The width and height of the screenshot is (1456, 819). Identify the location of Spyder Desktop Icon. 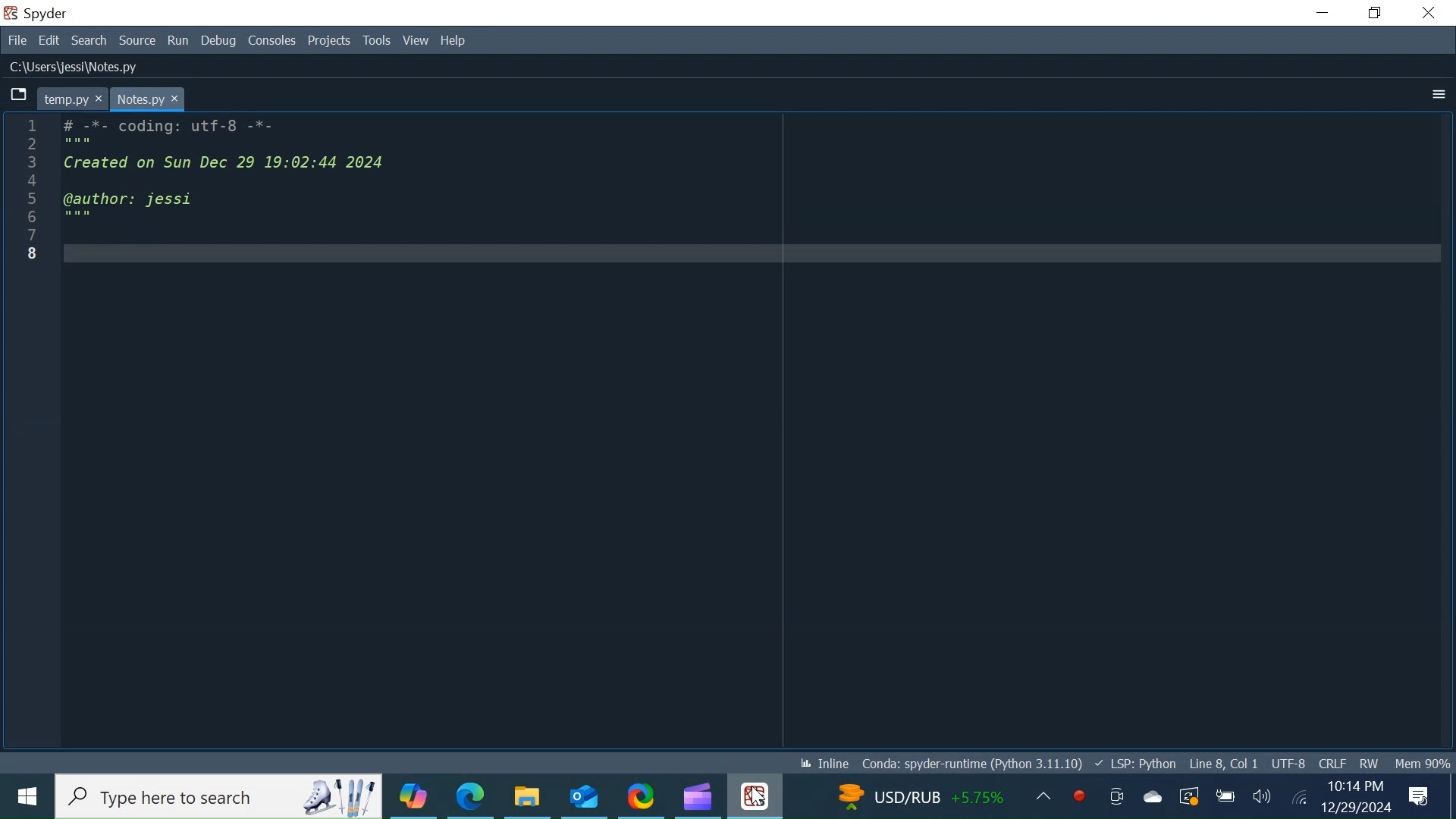
(758, 796).